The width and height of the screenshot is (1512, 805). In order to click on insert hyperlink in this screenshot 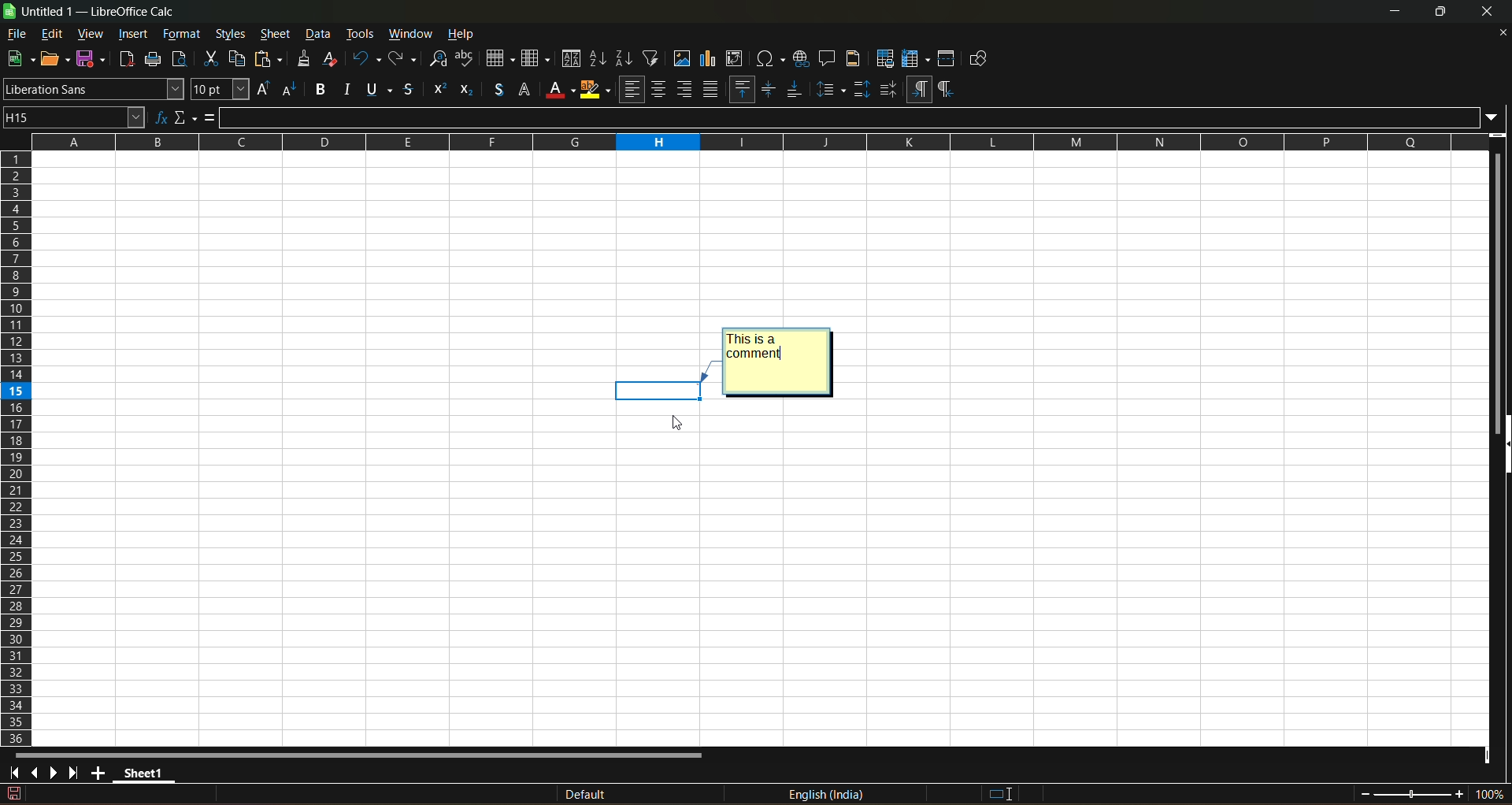, I will do `click(800, 58)`.